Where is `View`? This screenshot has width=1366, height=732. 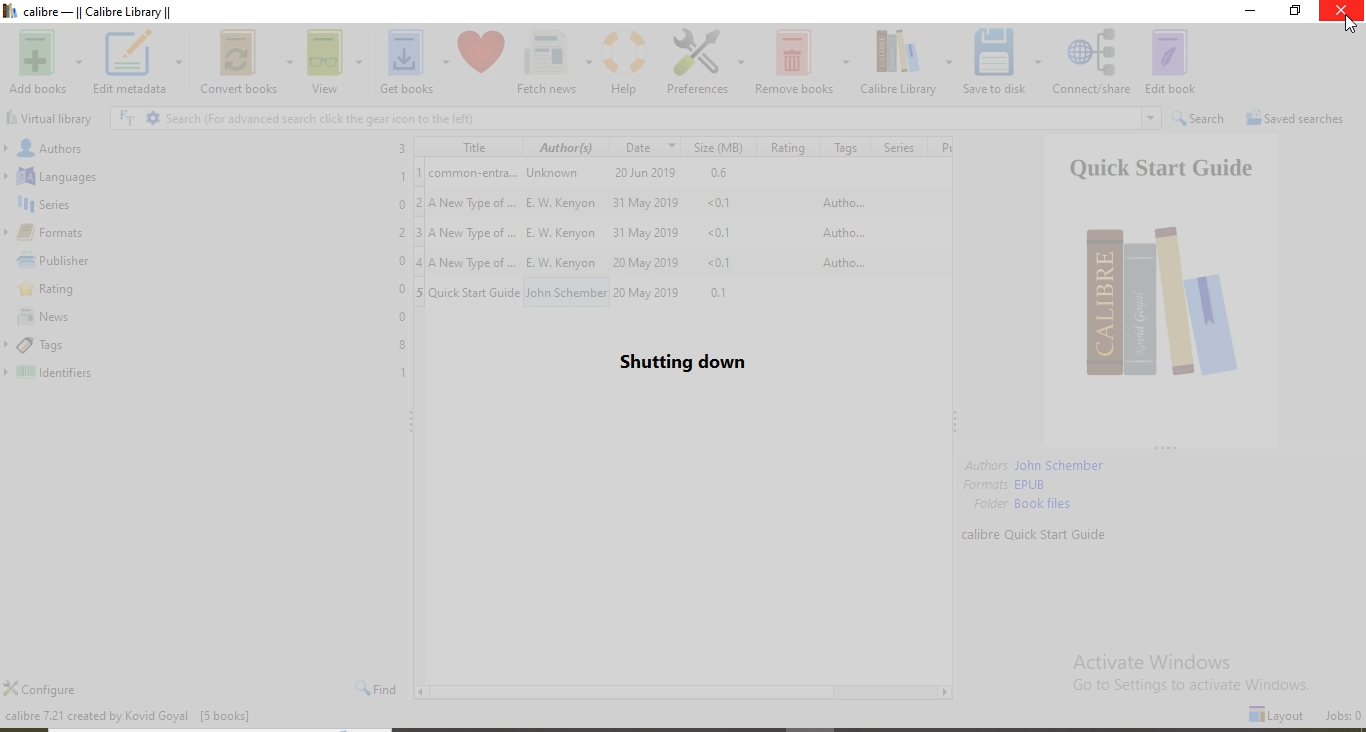 View is located at coordinates (335, 63).